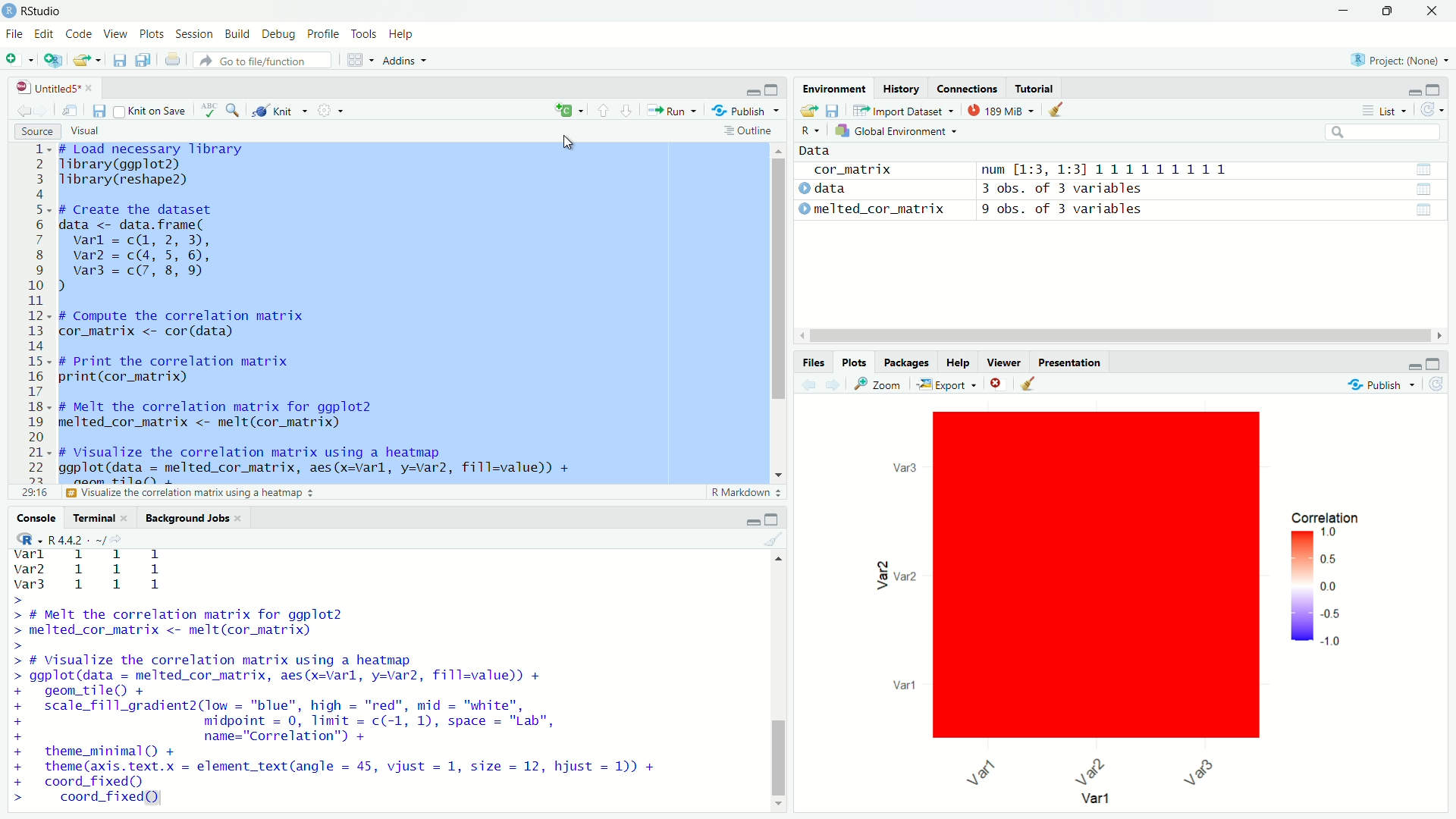  I want to click on 9obs of 3 variables, so click(1212, 211).